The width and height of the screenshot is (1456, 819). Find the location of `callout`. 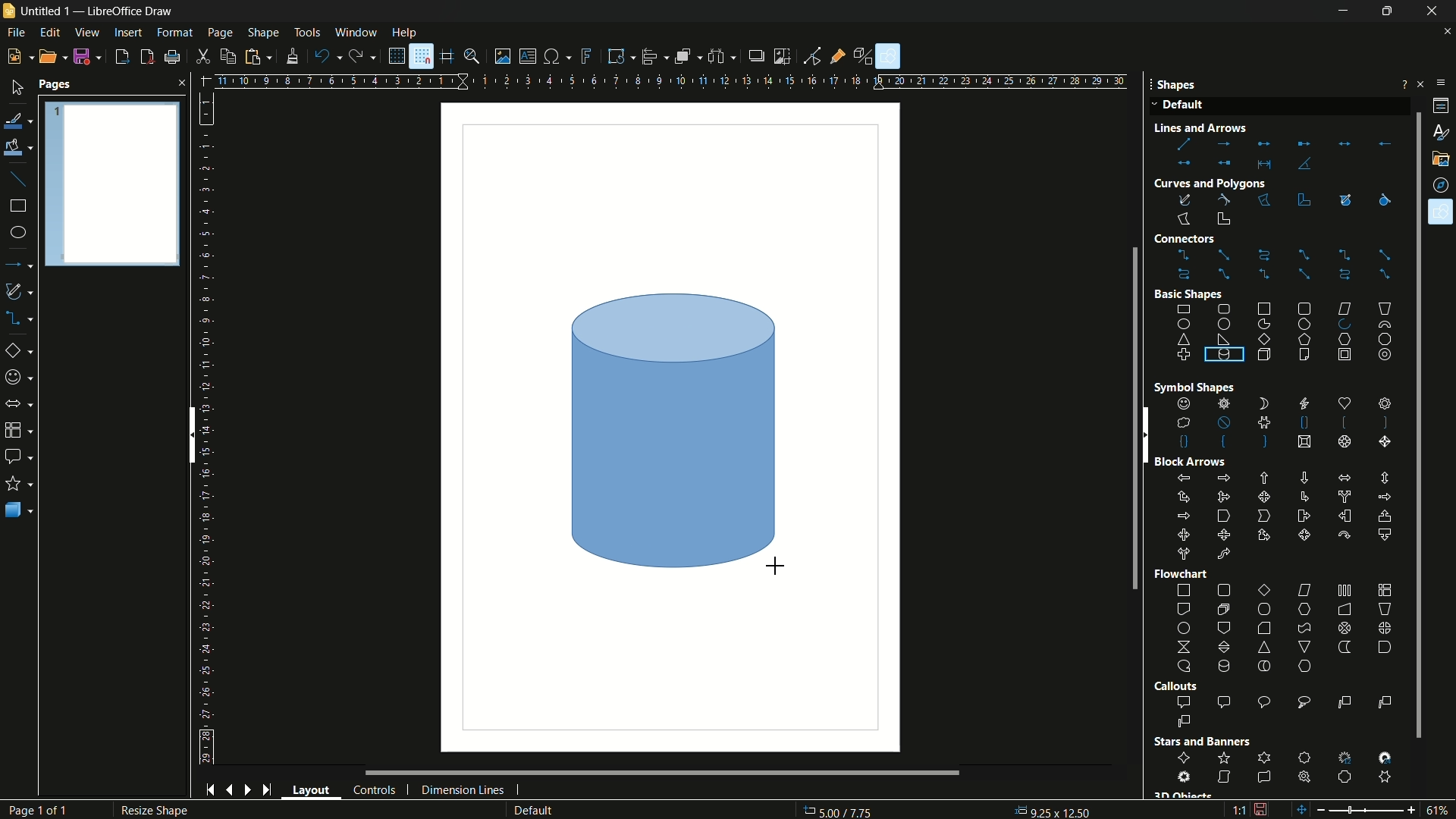

callout is located at coordinates (1286, 713).